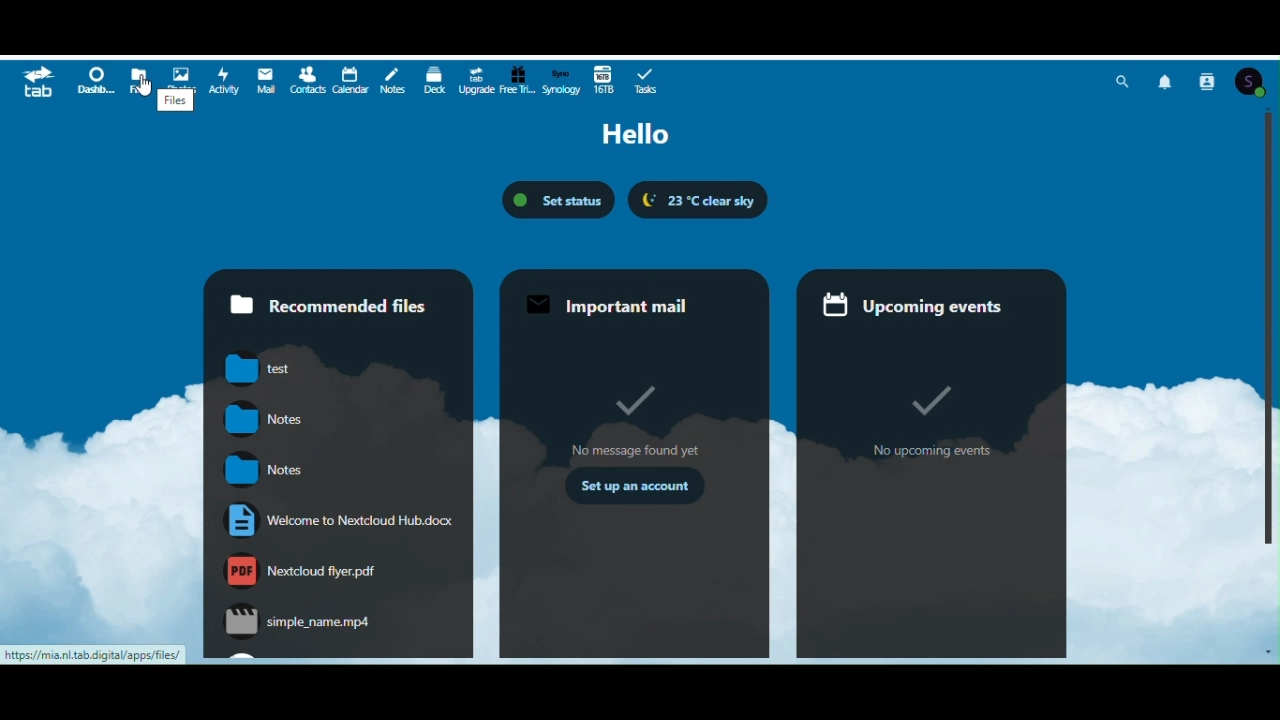 The width and height of the screenshot is (1280, 720). I want to click on Calendar, so click(350, 80).